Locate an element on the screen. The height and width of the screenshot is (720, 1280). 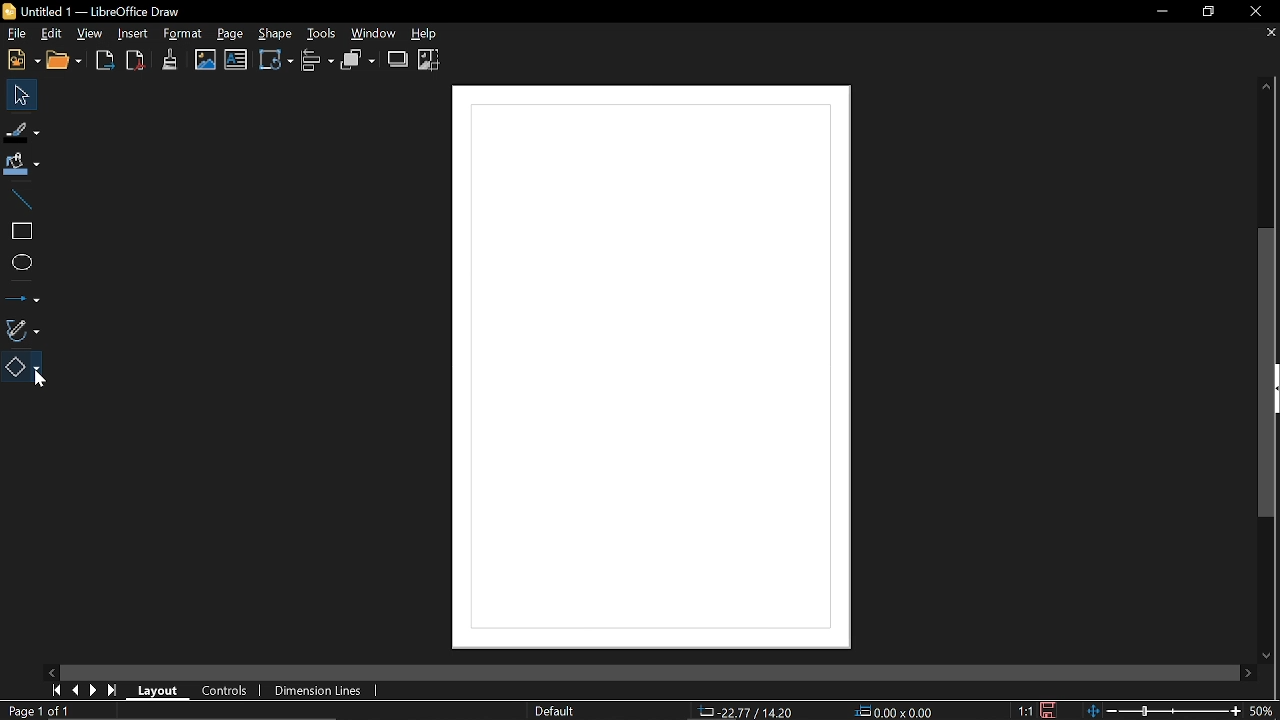
dimension lines is located at coordinates (316, 692).